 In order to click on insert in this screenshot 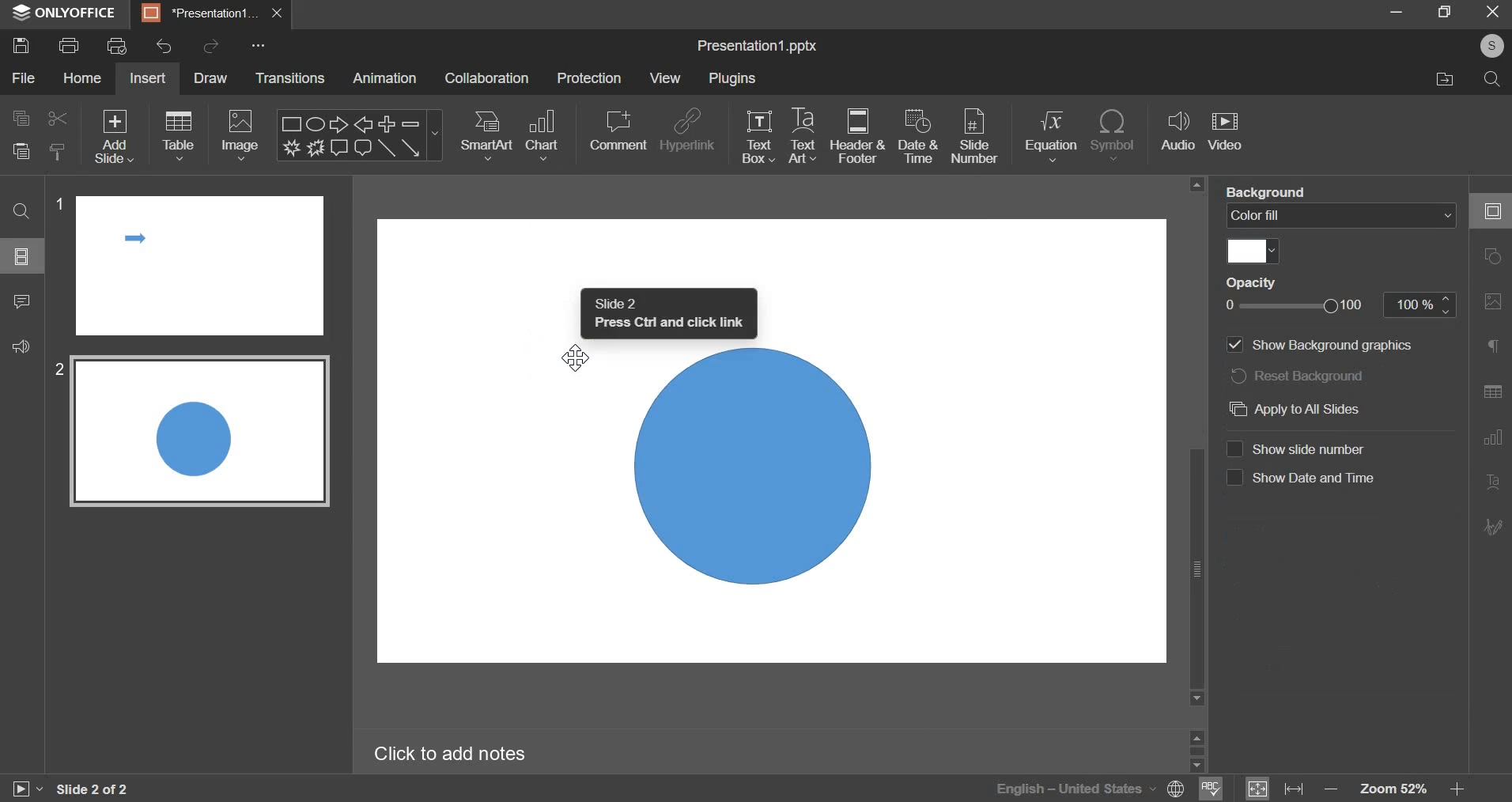, I will do `click(146, 79)`.